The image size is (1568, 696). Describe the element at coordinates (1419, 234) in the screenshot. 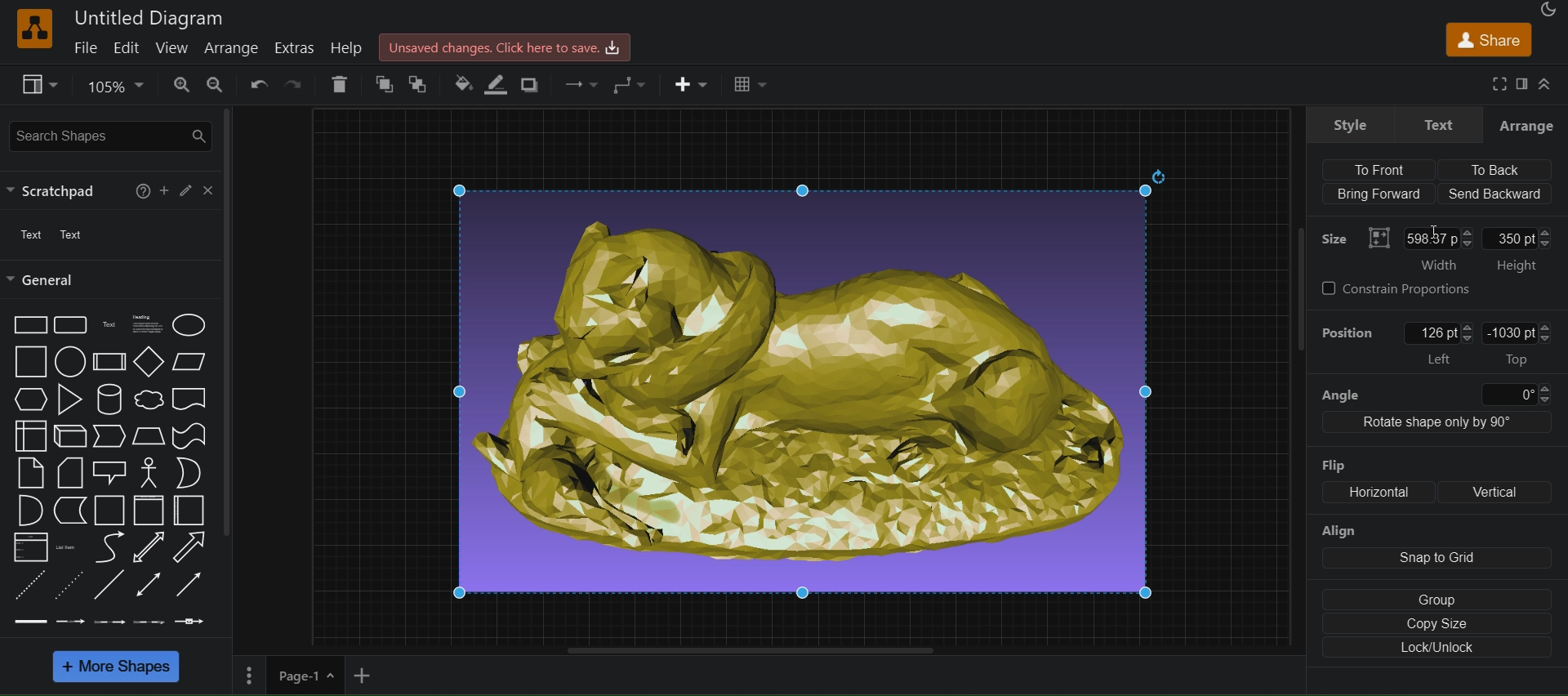

I see `Size: width` at that location.